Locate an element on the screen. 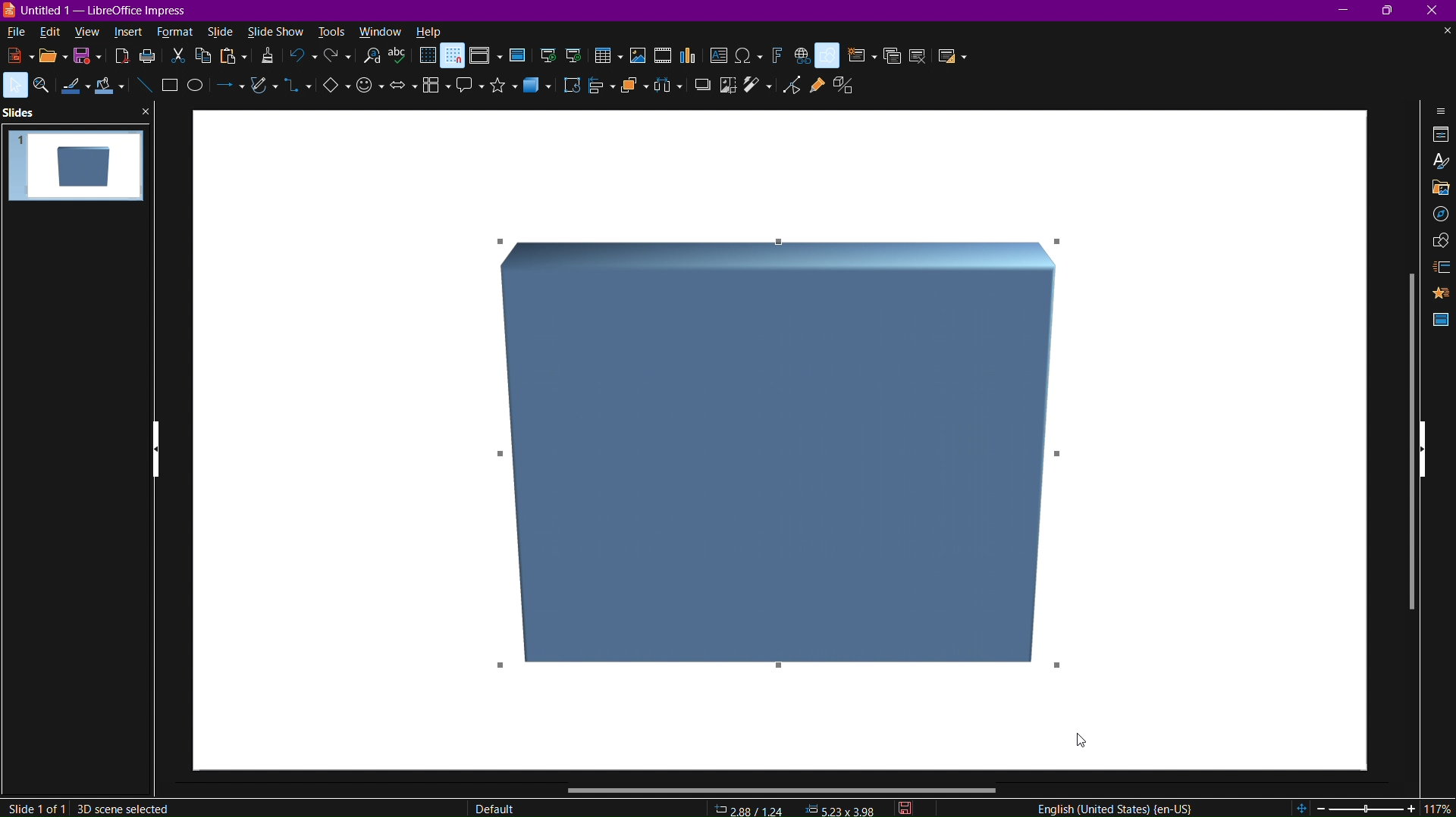 The height and width of the screenshot is (817, 1456). Arrange is located at coordinates (633, 90).